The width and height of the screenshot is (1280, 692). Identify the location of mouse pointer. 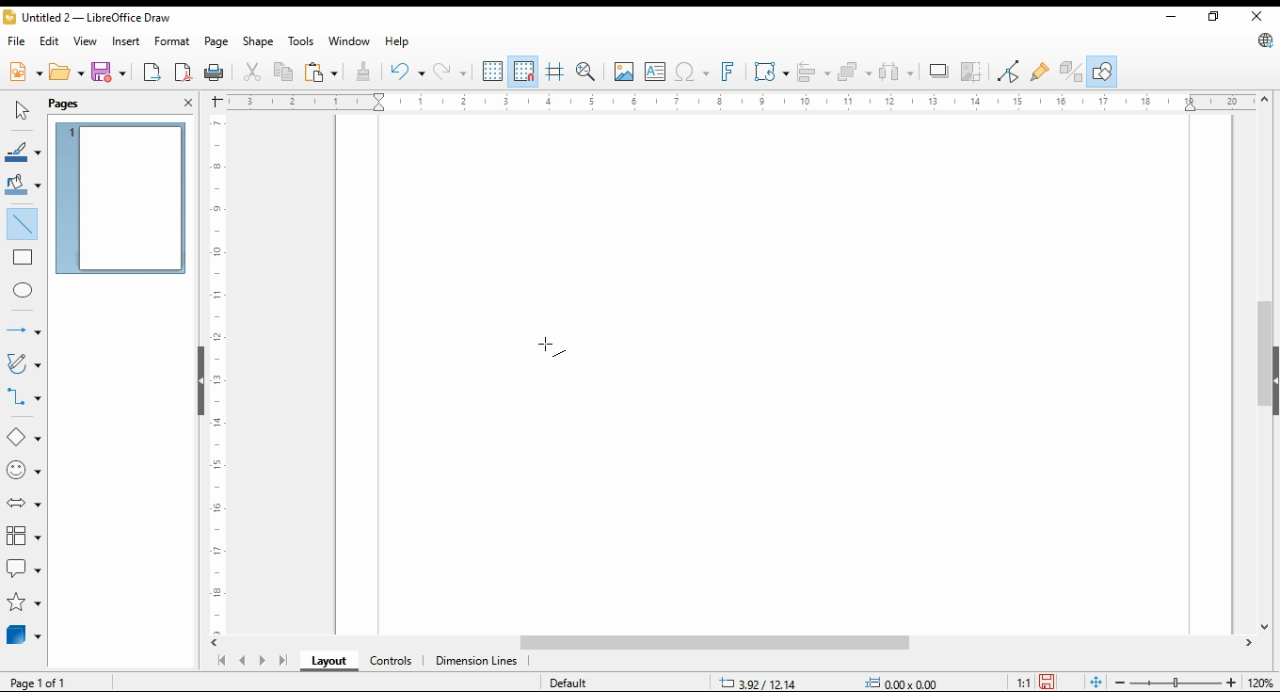
(547, 345).